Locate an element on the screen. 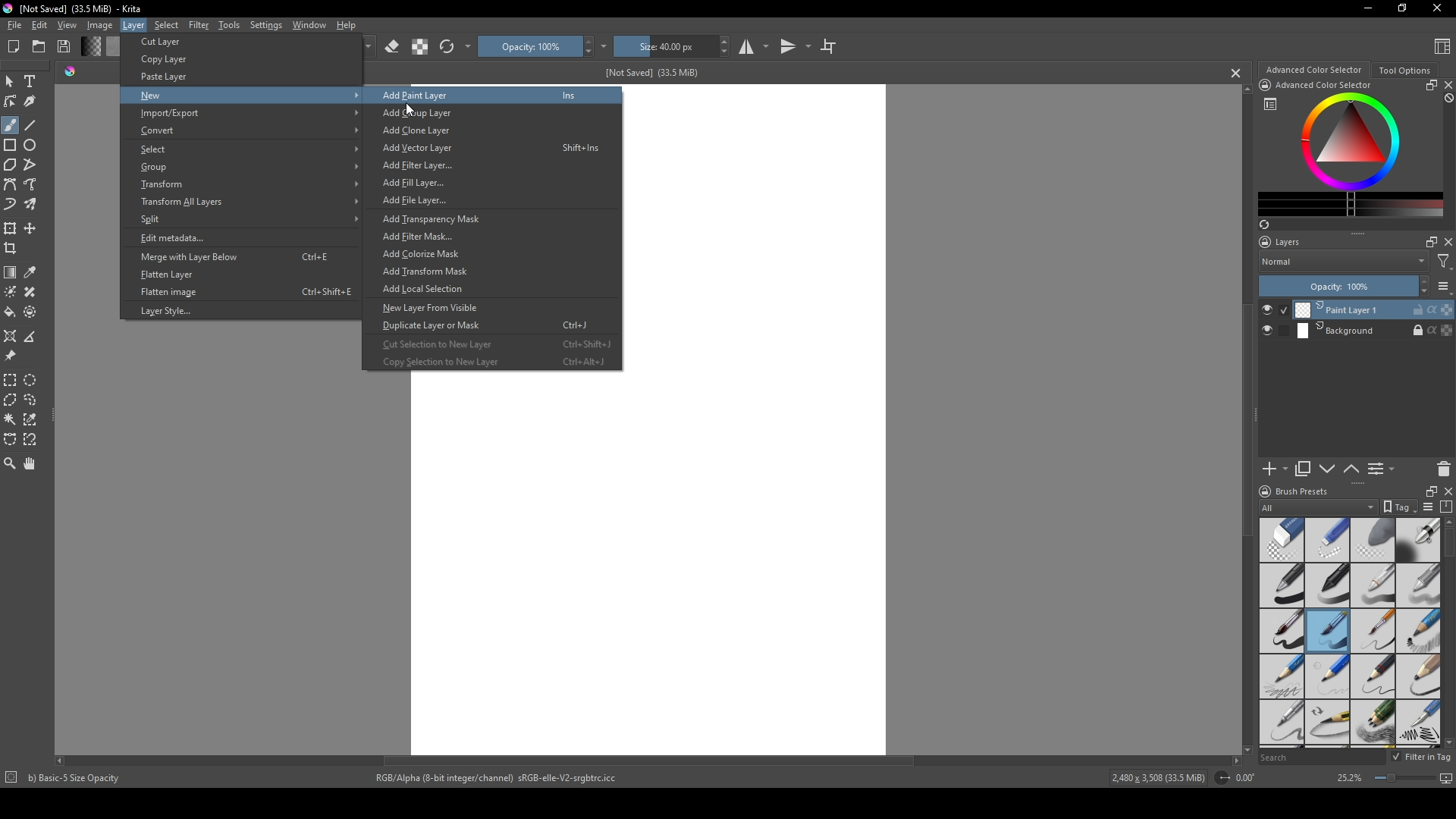 This screenshot has width=1456, height=819. add new is located at coordinates (1274, 469).